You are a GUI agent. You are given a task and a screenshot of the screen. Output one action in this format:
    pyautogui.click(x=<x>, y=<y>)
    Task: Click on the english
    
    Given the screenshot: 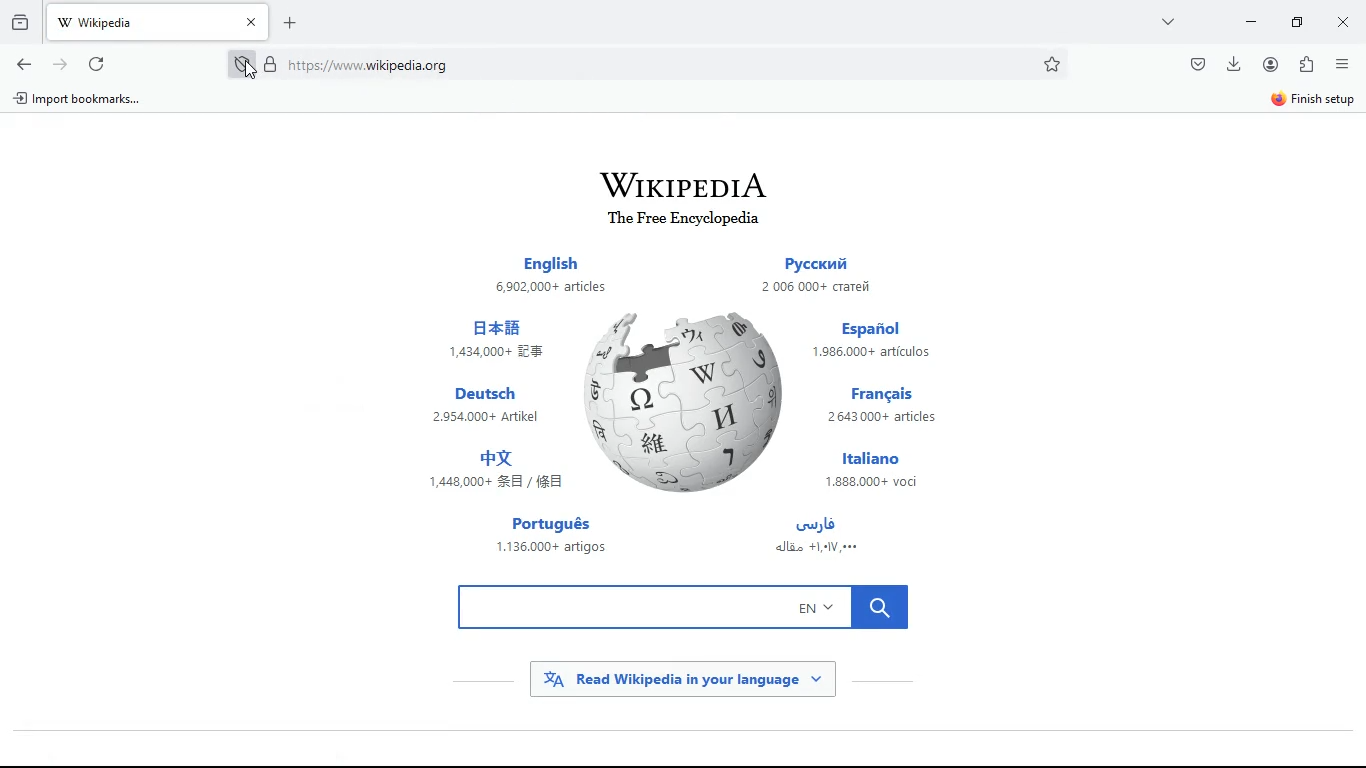 What is the action you would take?
    pyautogui.click(x=550, y=269)
    